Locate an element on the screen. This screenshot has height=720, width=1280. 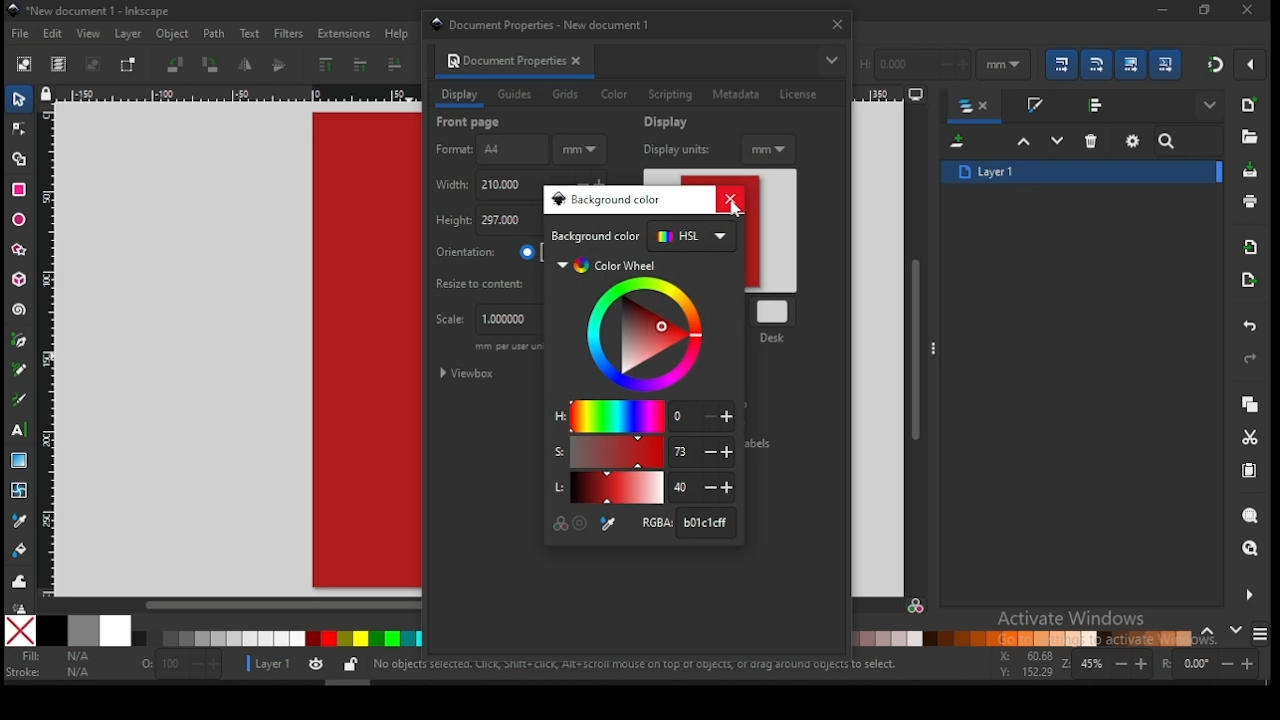
raiseselection one step is located at coordinates (1024, 142).